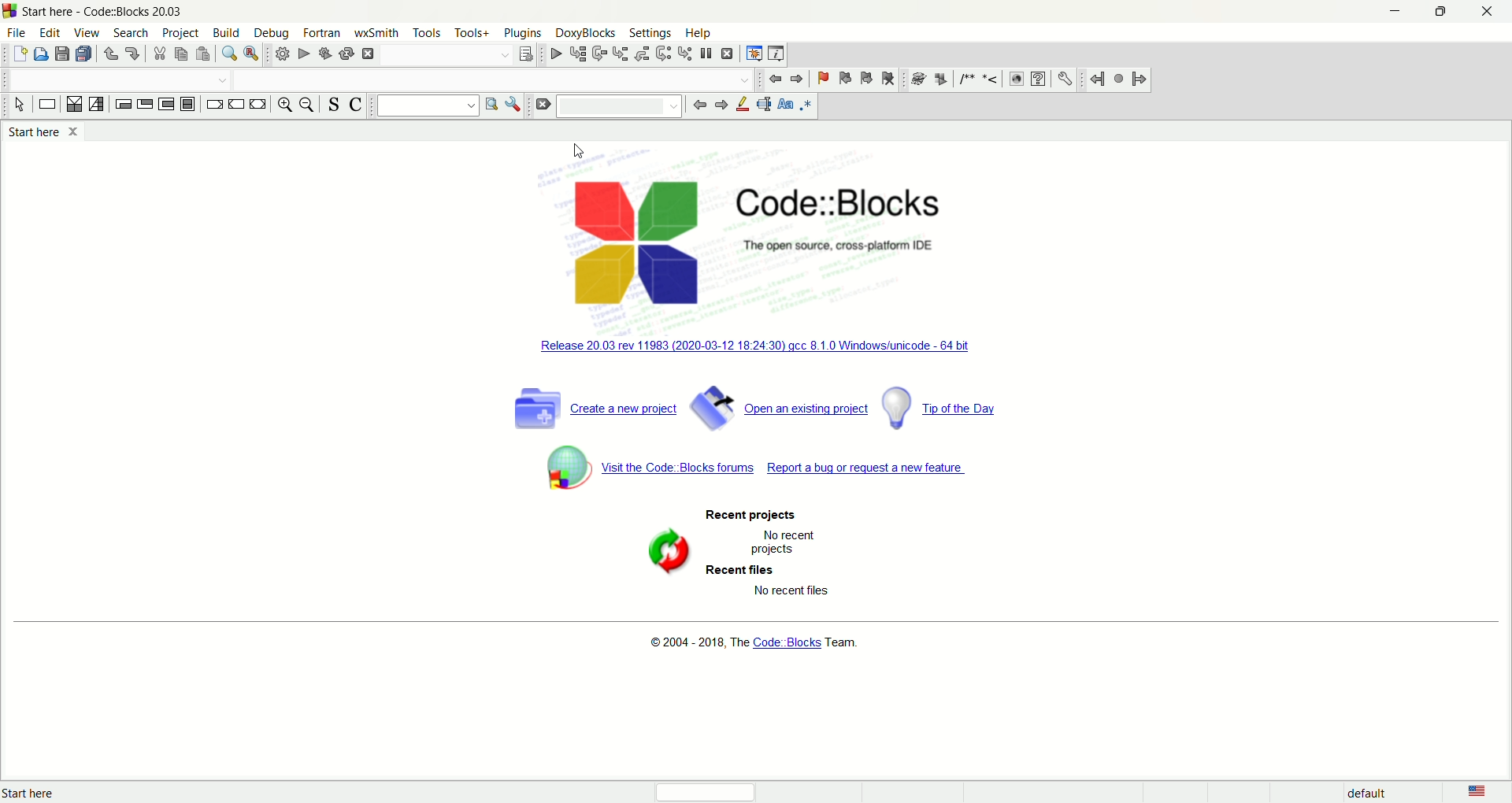 This screenshot has height=803, width=1512. I want to click on stop debugger, so click(728, 54).